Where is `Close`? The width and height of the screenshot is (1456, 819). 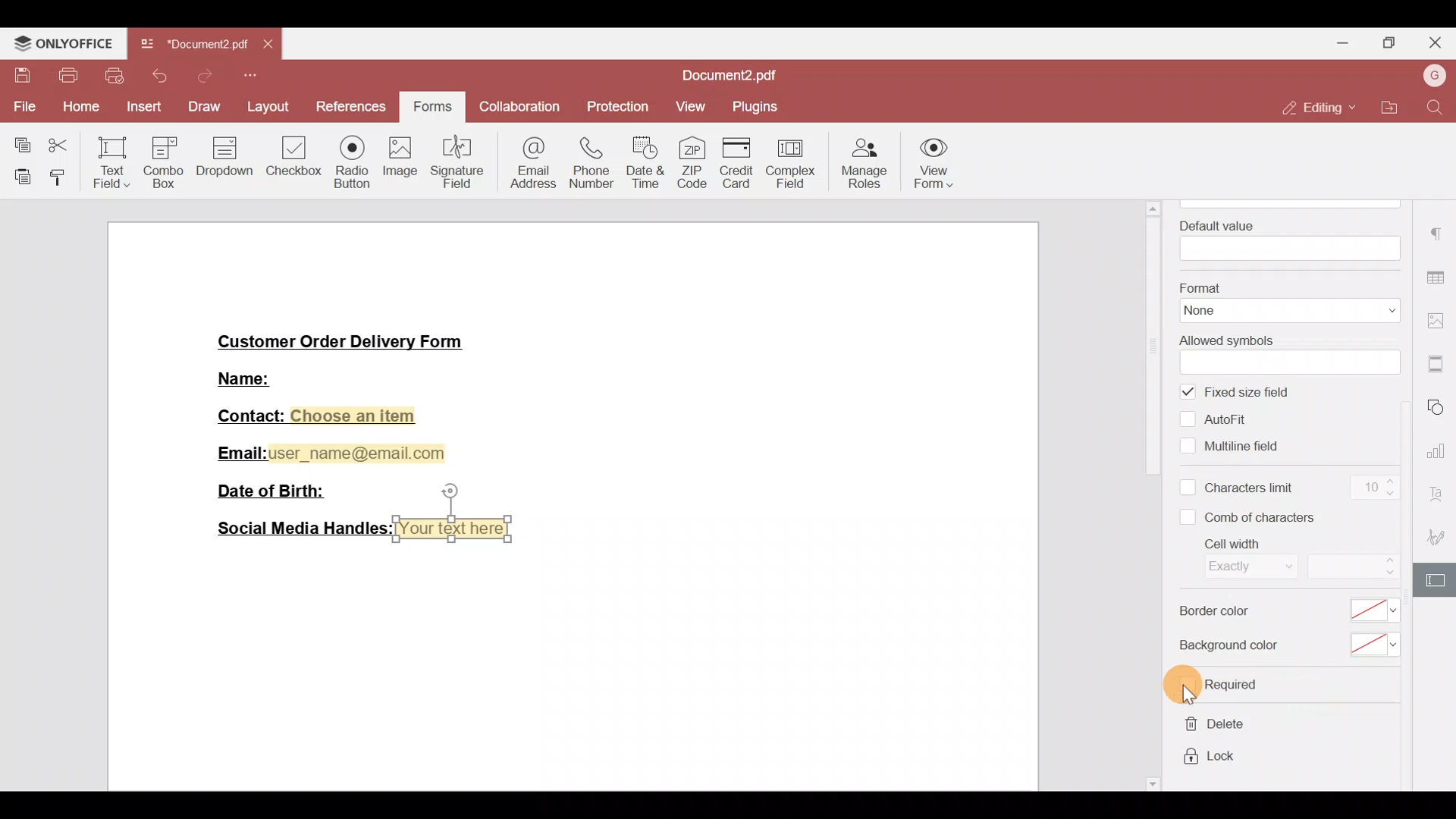 Close is located at coordinates (1438, 43).